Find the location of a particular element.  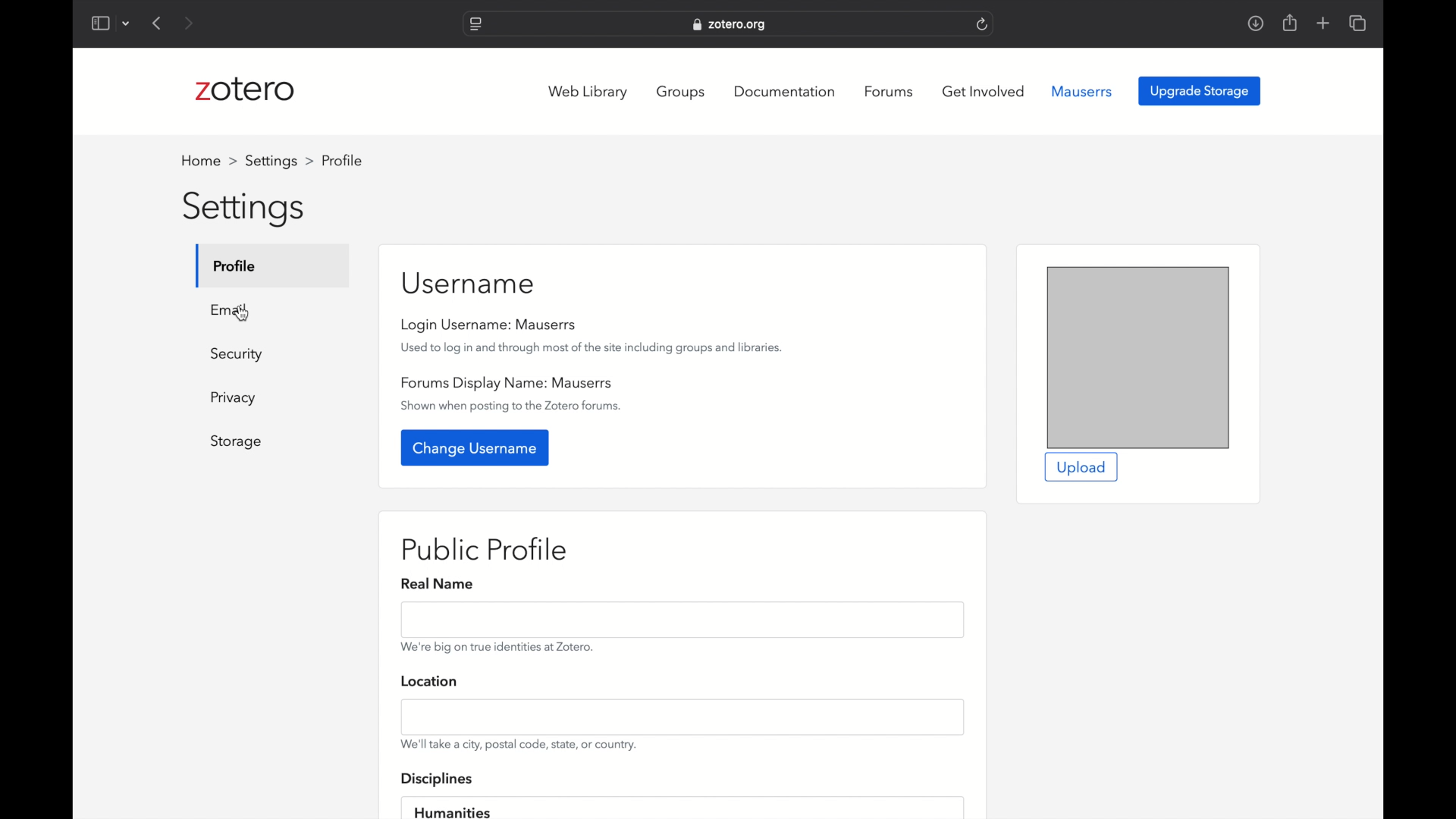

change username is located at coordinates (474, 447).